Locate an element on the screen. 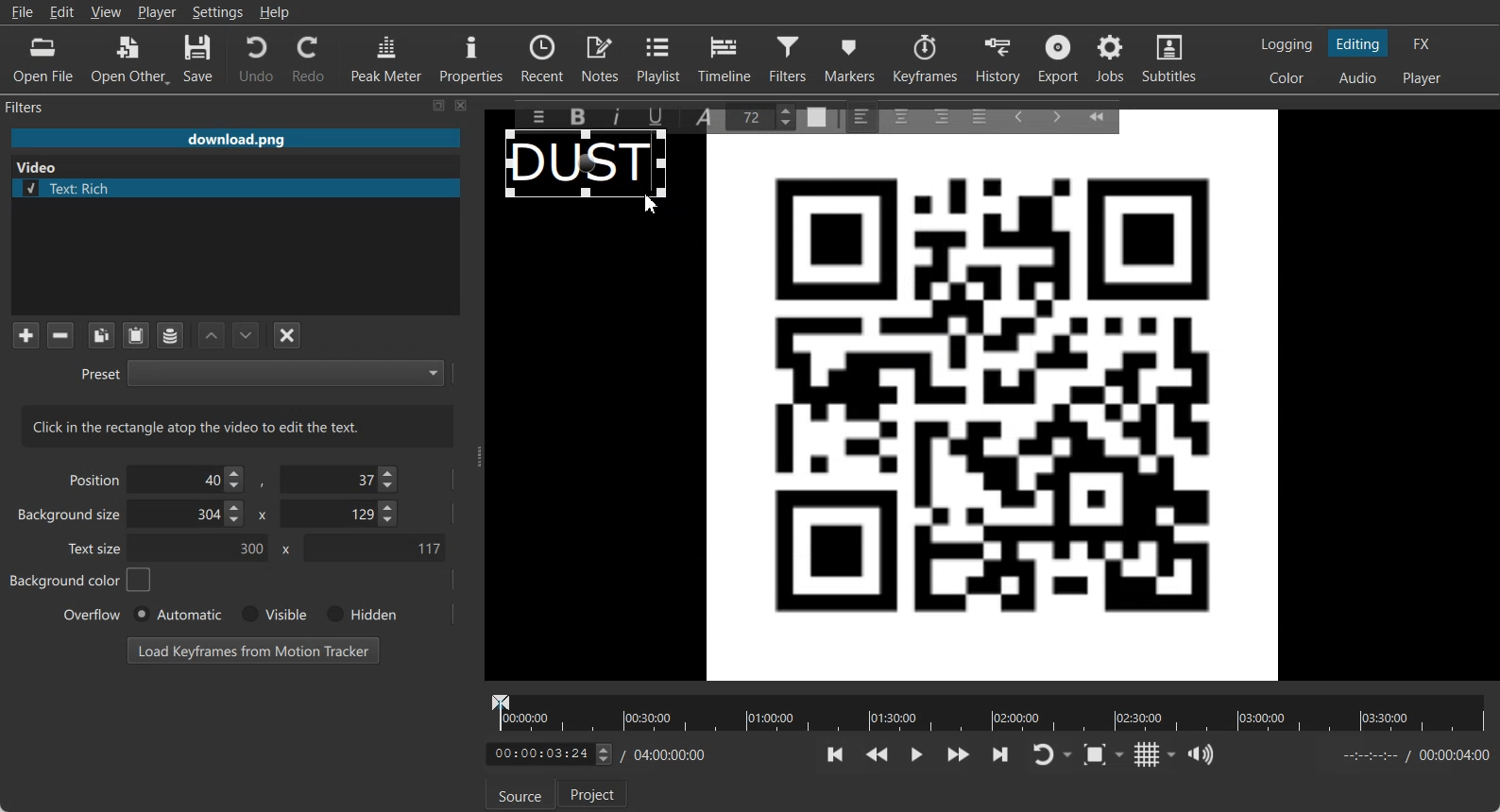 This screenshot has width=1500, height=812. Subtitles is located at coordinates (1170, 59).